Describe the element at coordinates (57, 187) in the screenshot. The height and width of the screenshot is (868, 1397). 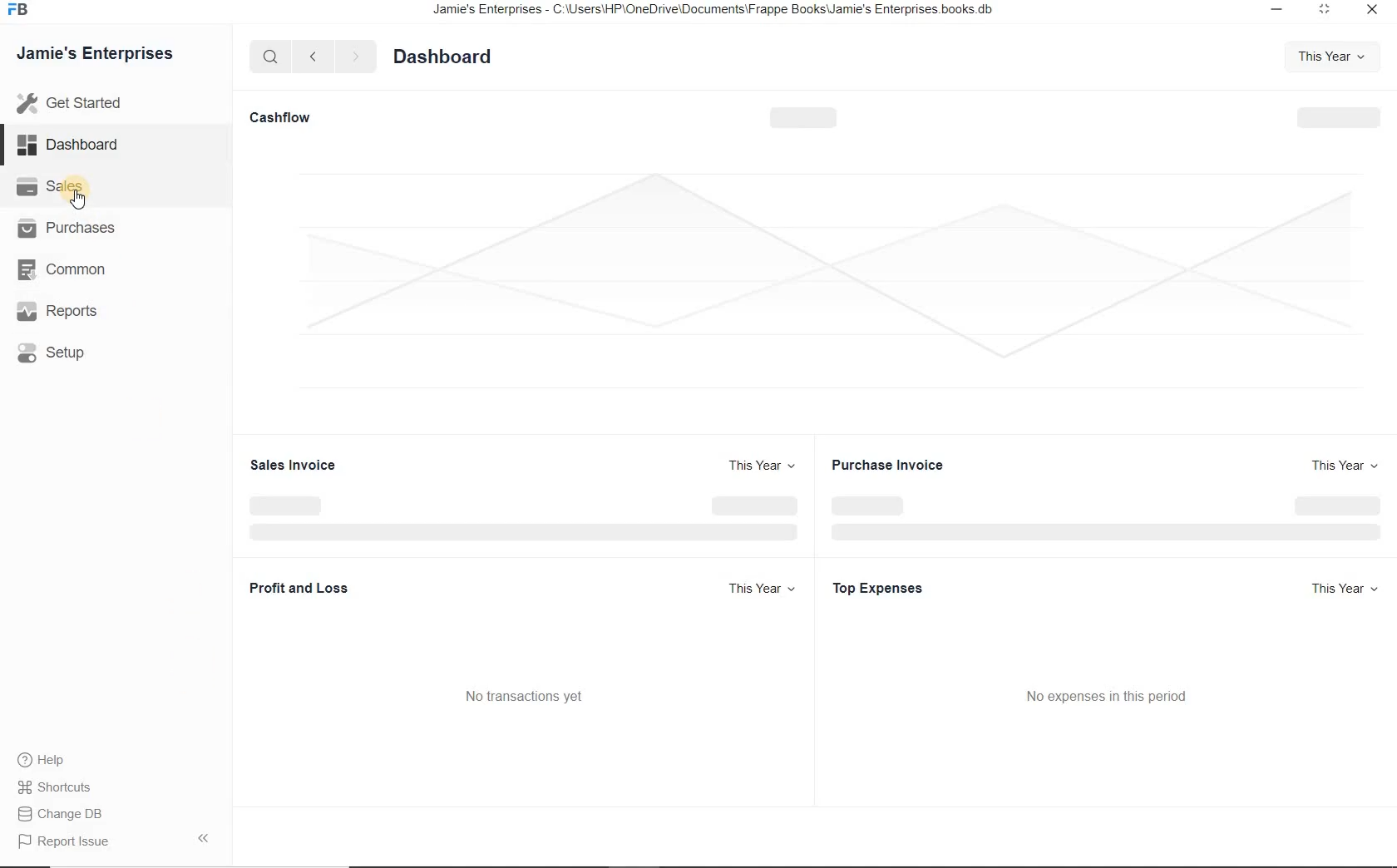
I see `Sales` at that location.